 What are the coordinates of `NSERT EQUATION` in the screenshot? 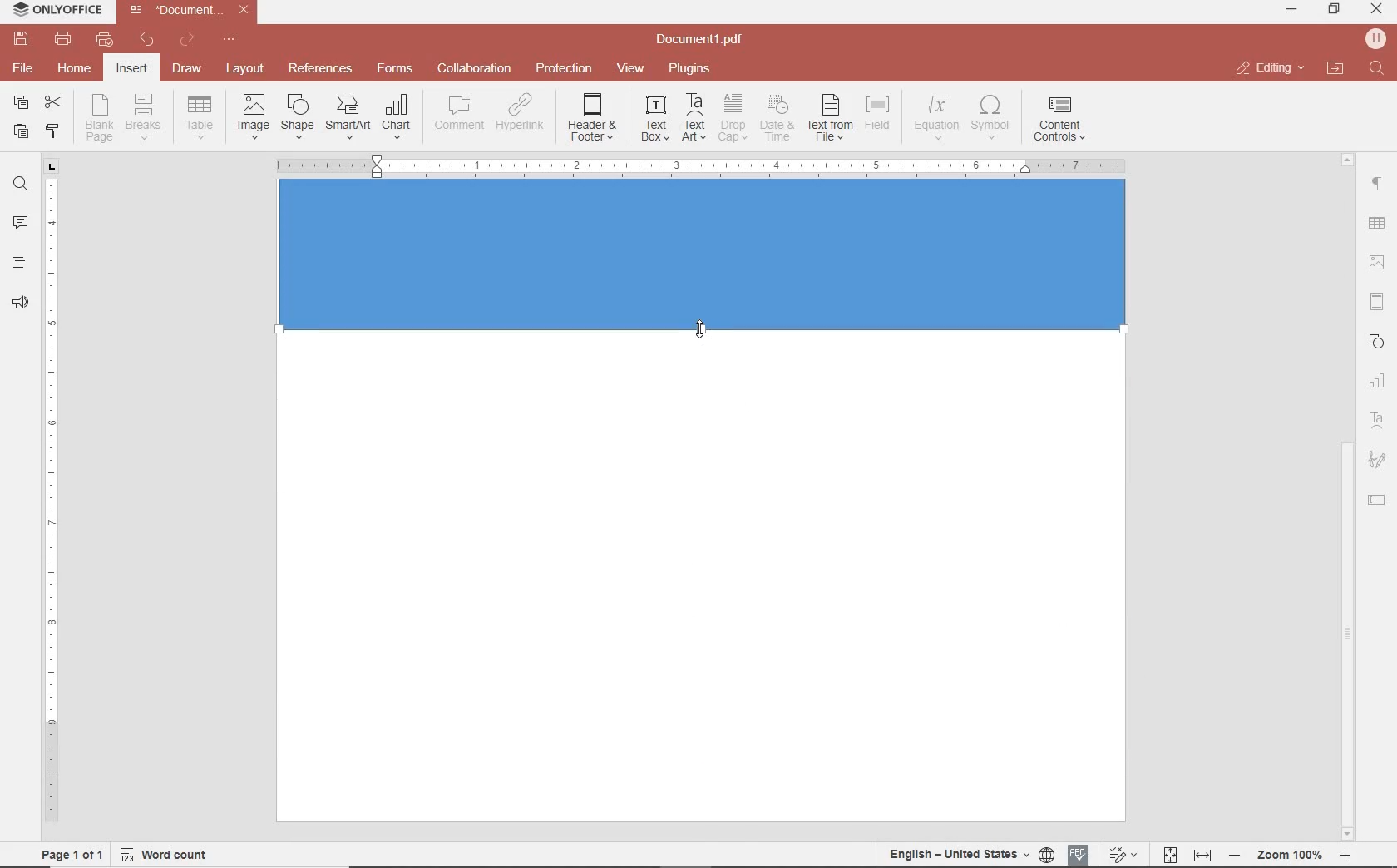 It's located at (935, 116).